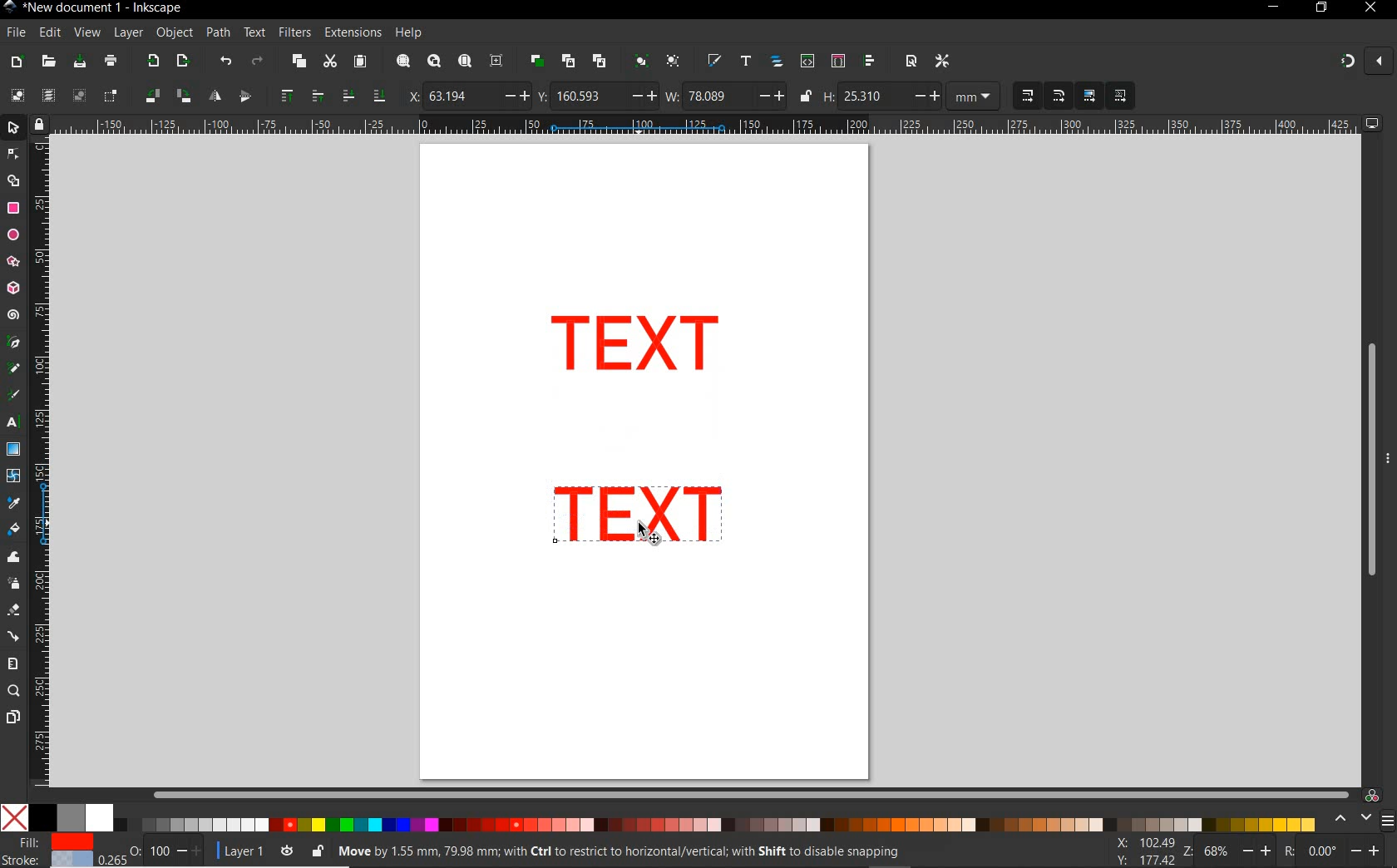  What do you see at coordinates (13, 450) in the screenshot?
I see `gradient tool` at bounding box center [13, 450].